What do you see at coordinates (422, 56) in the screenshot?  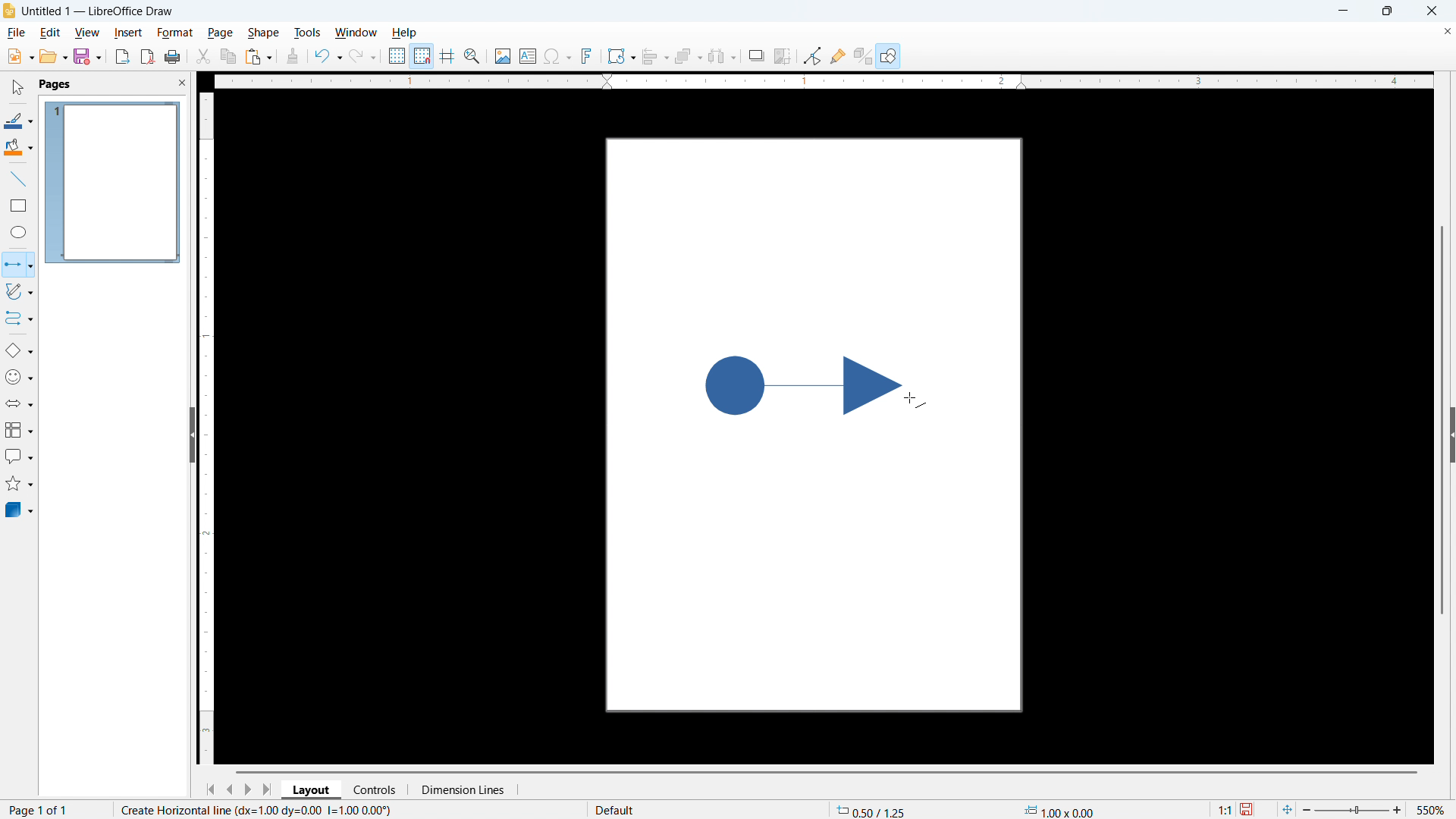 I see `Snap to grid ` at bounding box center [422, 56].